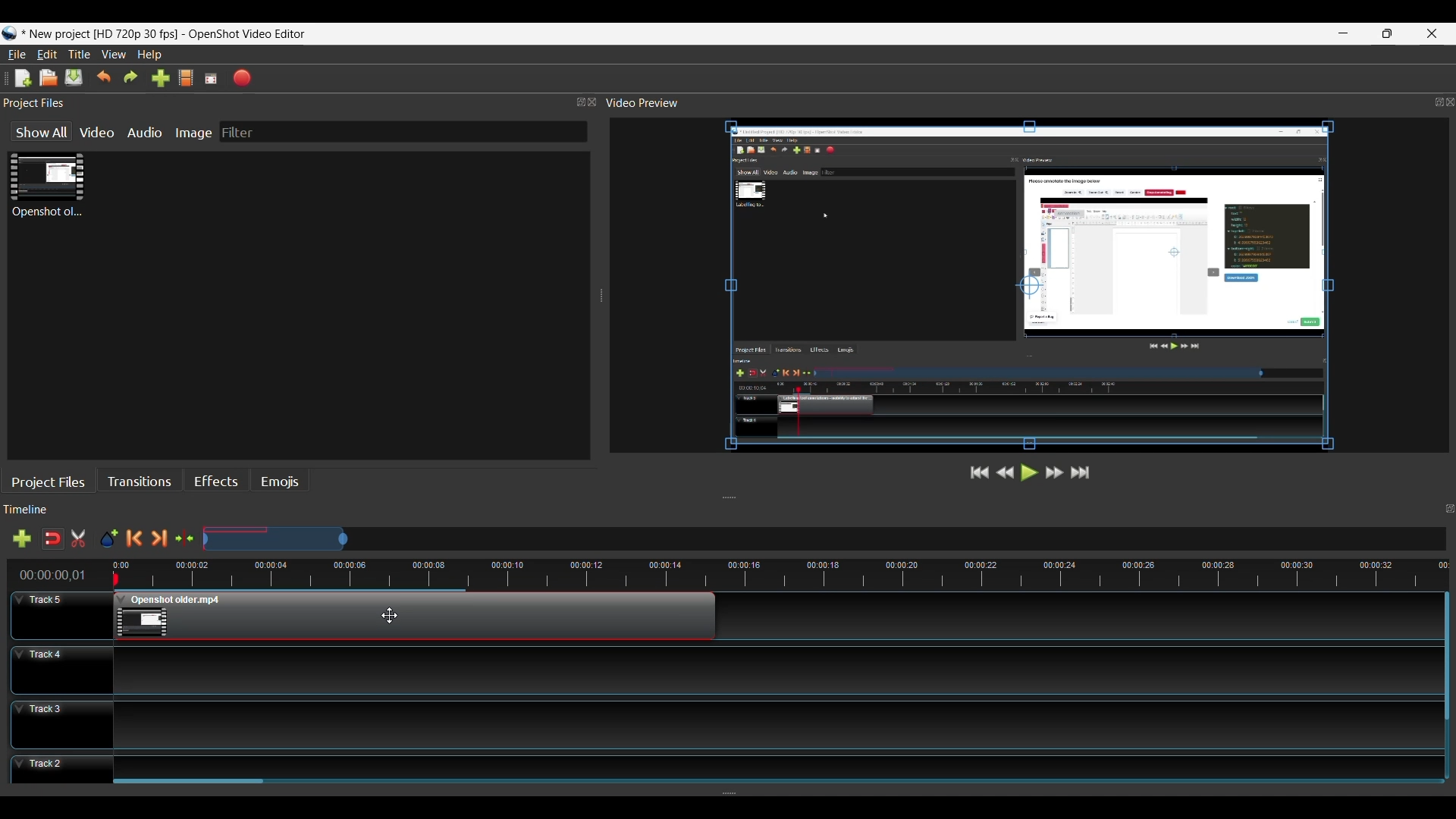 This screenshot has height=819, width=1456. What do you see at coordinates (281, 483) in the screenshot?
I see `Emojis` at bounding box center [281, 483].